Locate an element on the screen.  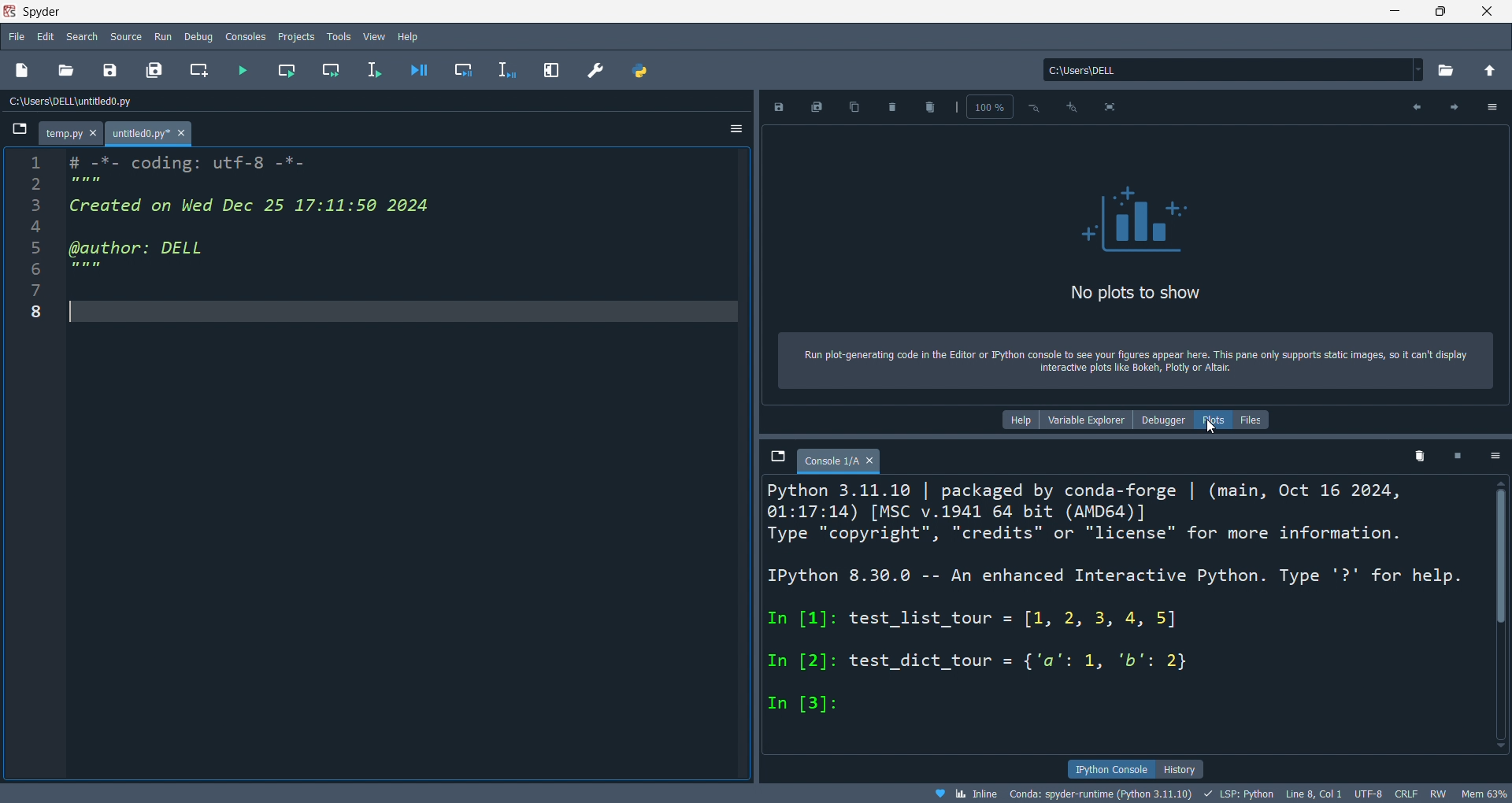
run cell and move is located at coordinates (331, 68).